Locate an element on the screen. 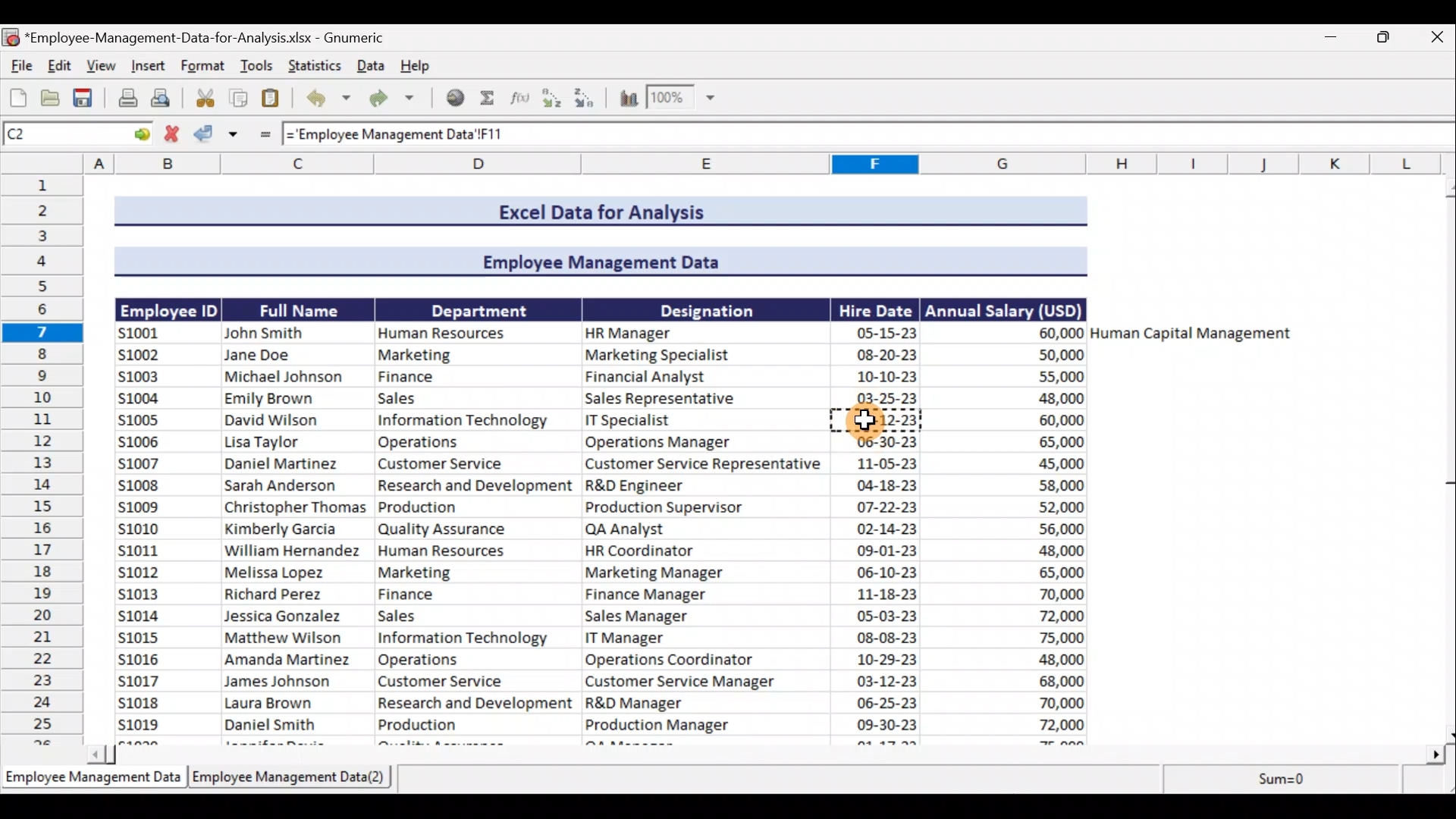 This screenshot has width=1456, height=819. Copy selection is located at coordinates (238, 101).